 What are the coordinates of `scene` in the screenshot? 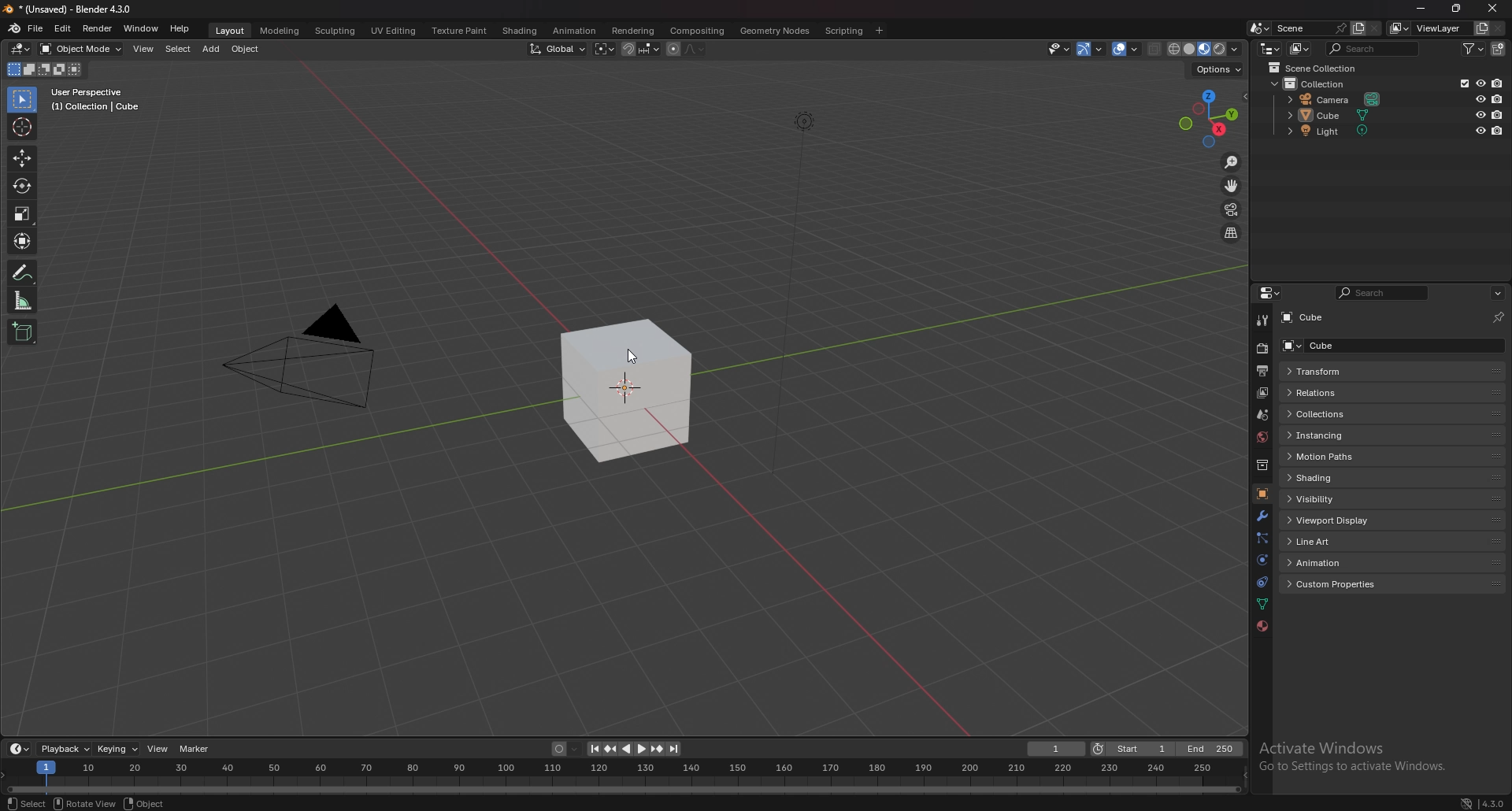 It's located at (1310, 28).